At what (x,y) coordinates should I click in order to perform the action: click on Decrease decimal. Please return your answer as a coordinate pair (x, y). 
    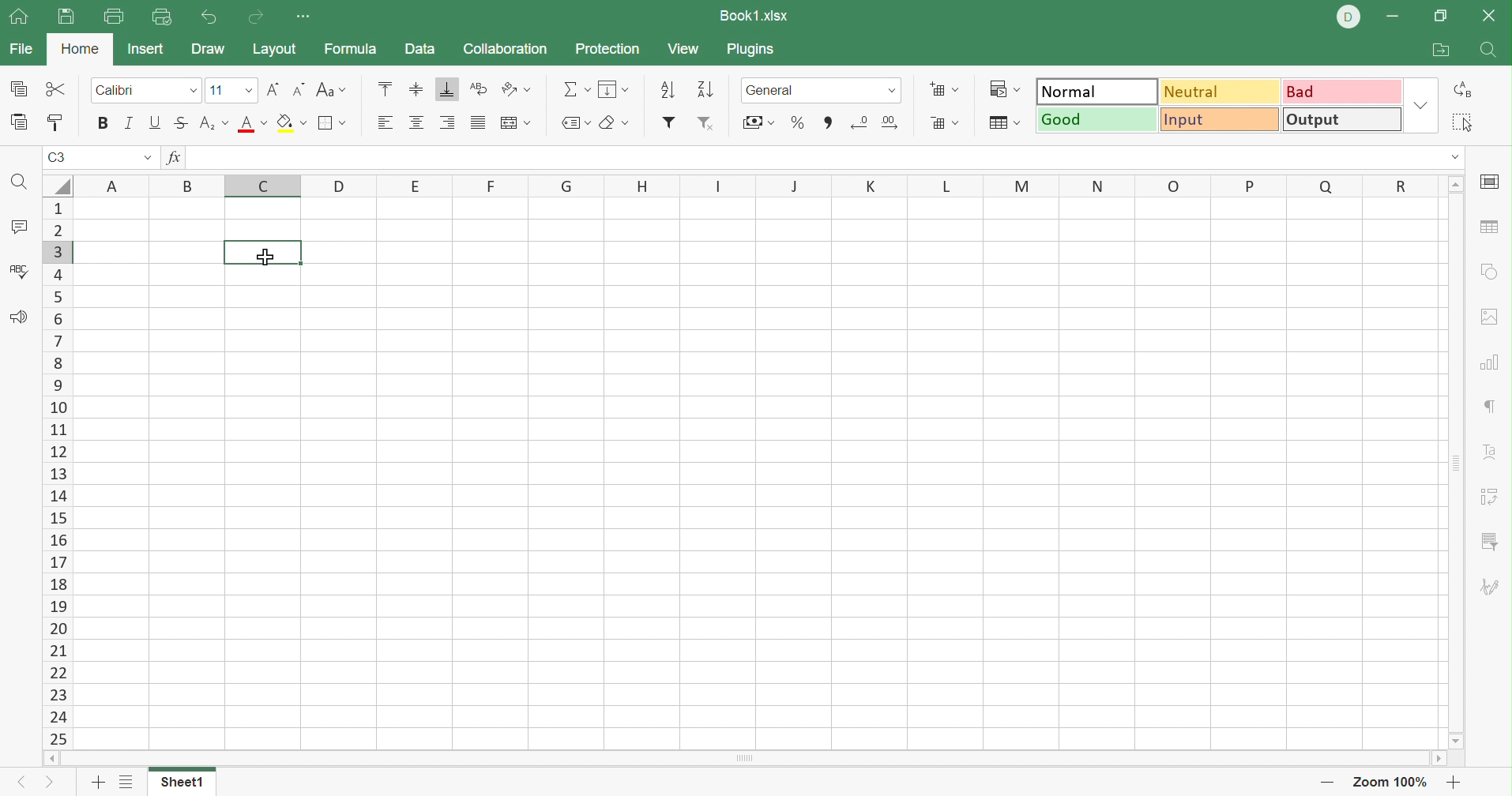
    Looking at the image, I should click on (860, 120).